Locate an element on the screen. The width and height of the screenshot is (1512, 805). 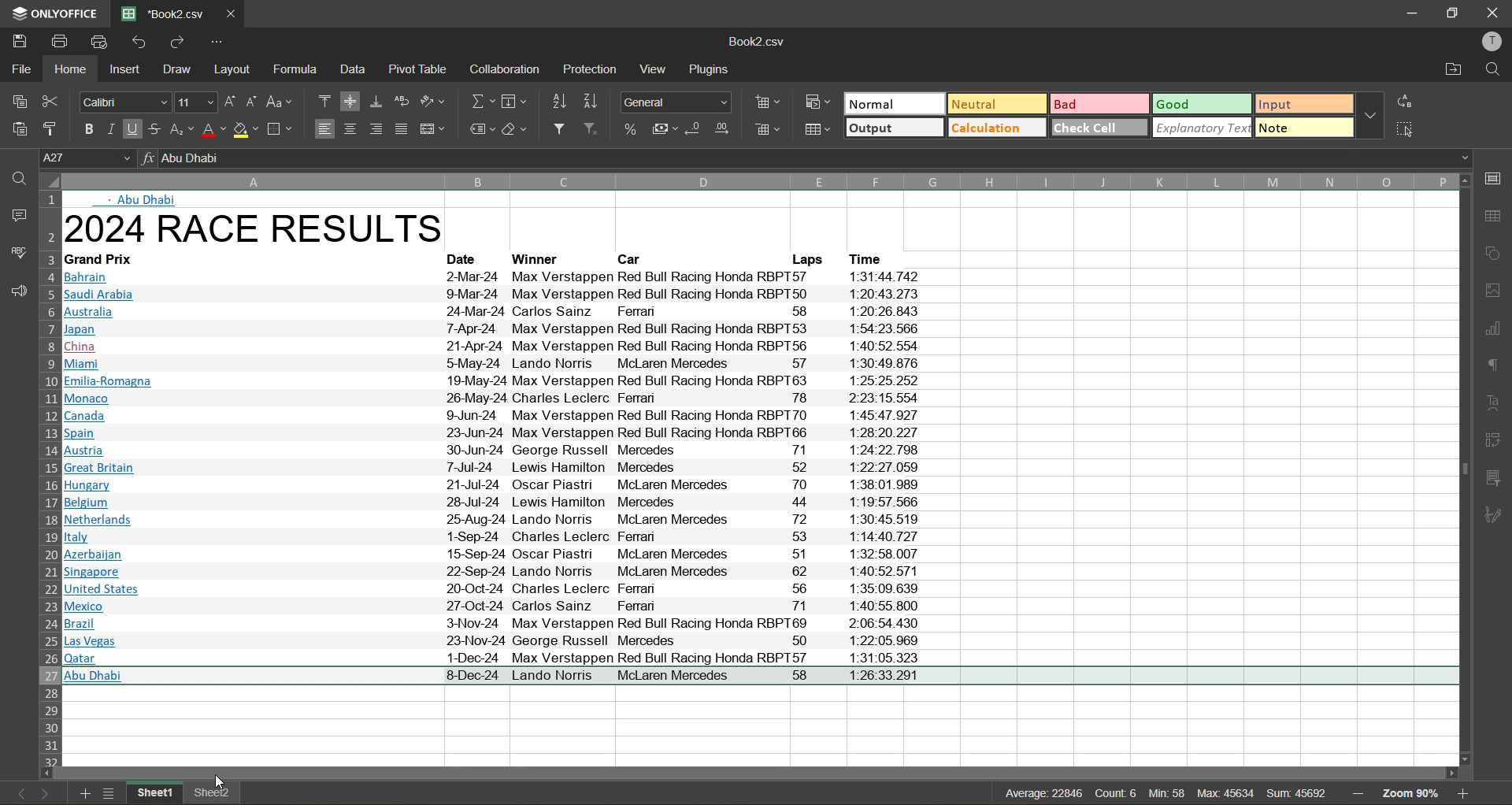
align bottom is located at coordinates (377, 101).